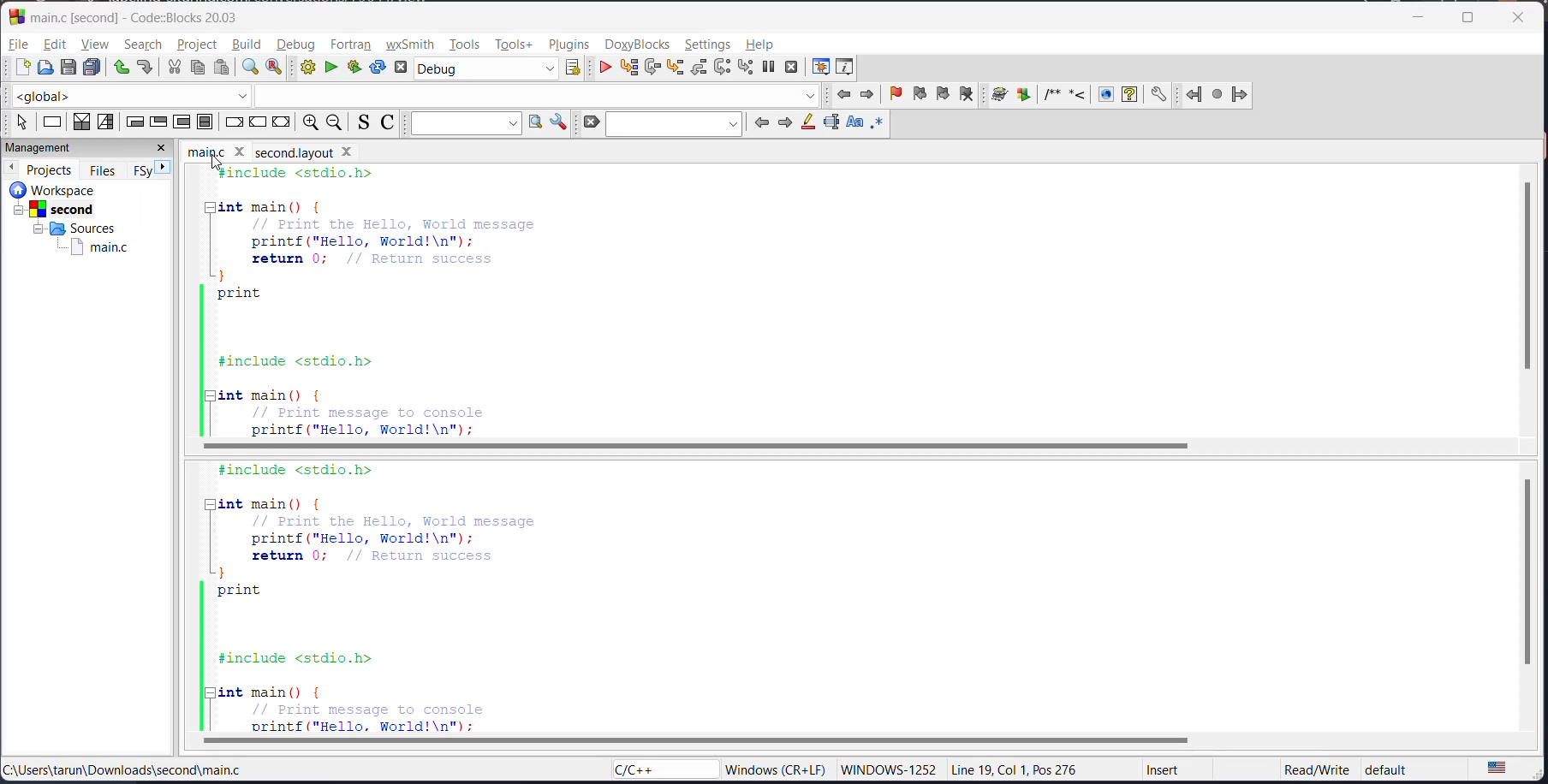 This screenshot has height=784, width=1548. I want to click on Line 19, Col 1, Pos 276, so click(1017, 769).